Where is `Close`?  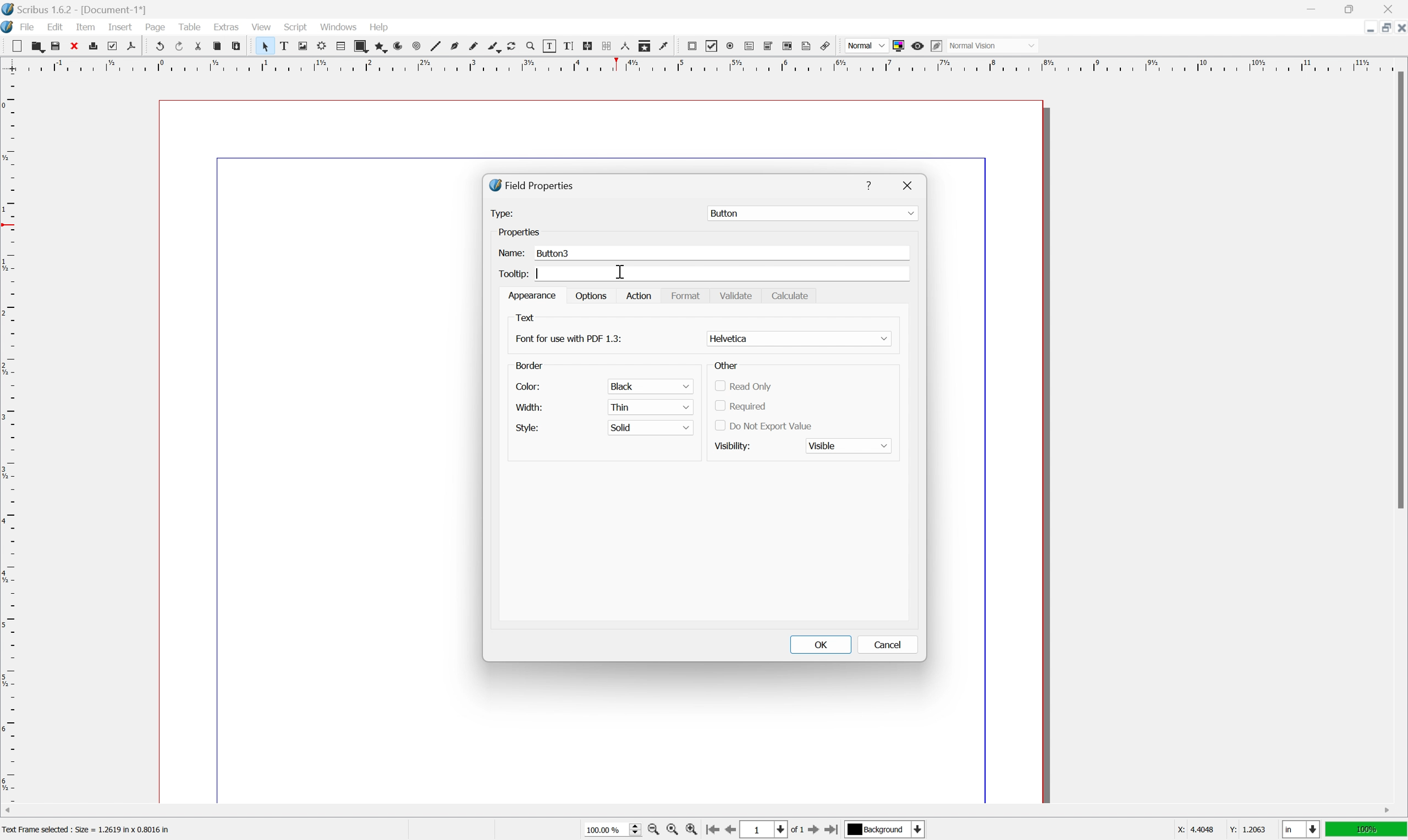
Close is located at coordinates (912, 186).